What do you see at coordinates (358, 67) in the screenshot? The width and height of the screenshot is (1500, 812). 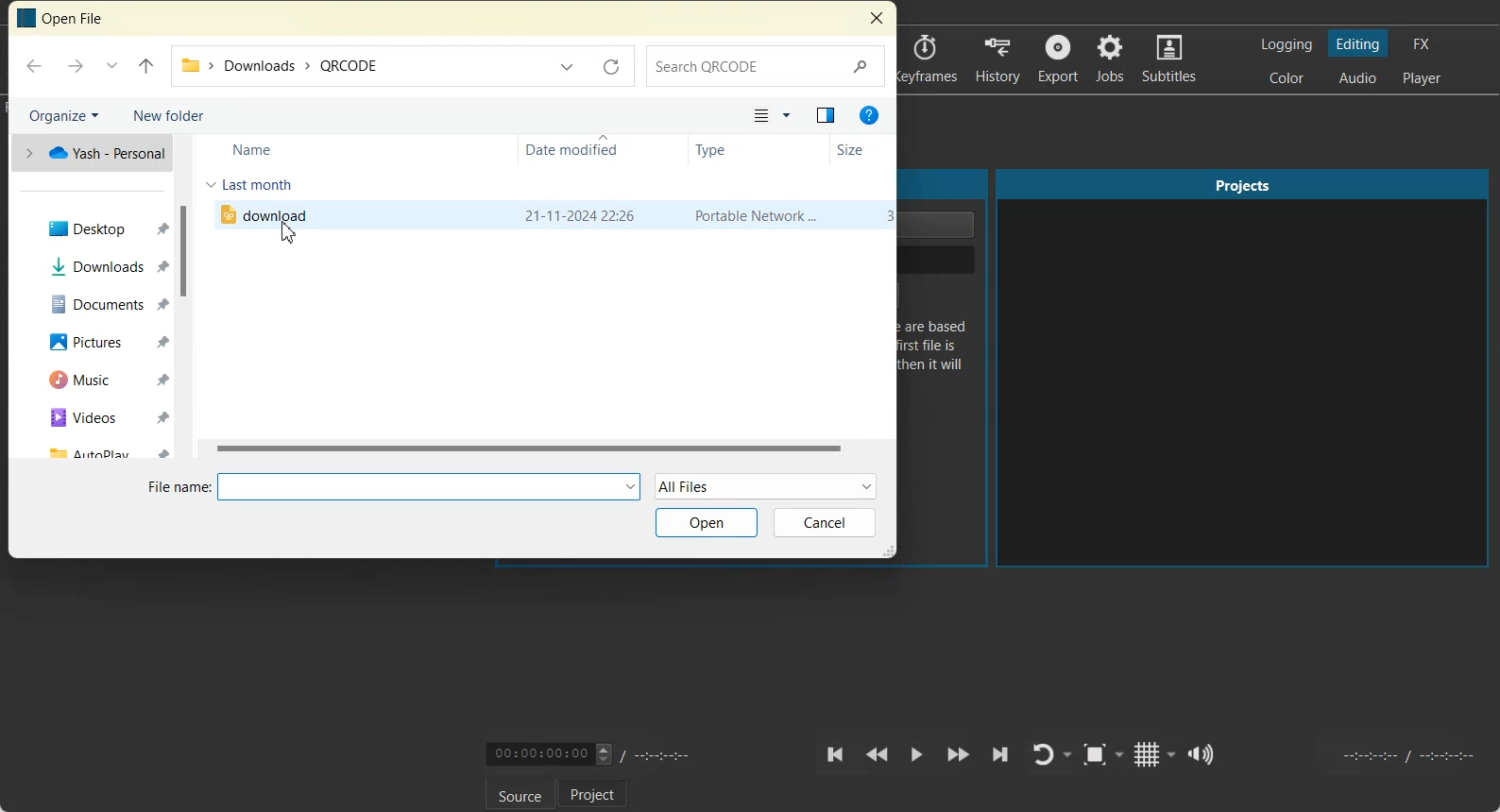 I see `File Path Address` at bounding box center [358, 67].